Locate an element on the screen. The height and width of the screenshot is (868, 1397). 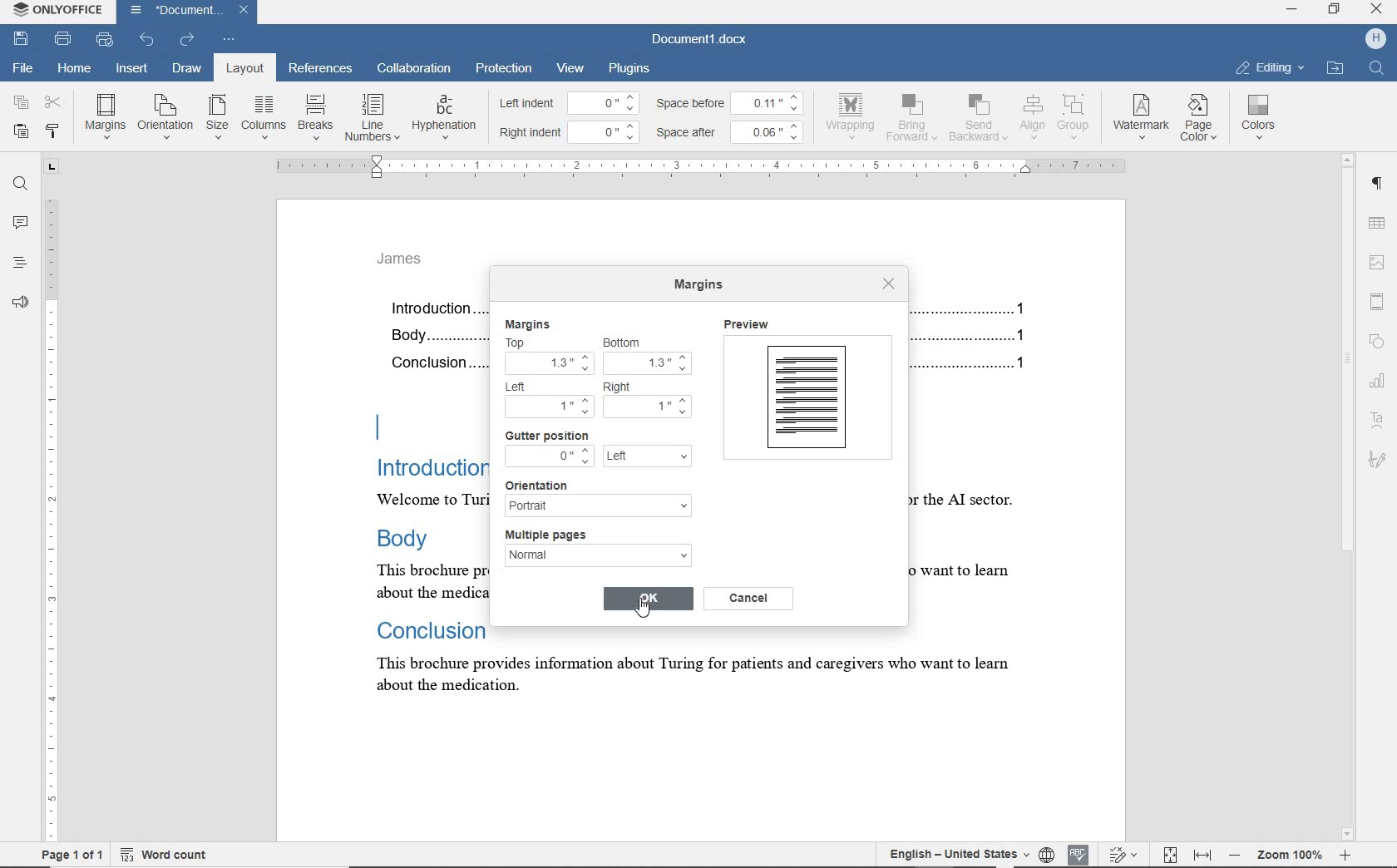
right indent is located at coordinates (531, 133).